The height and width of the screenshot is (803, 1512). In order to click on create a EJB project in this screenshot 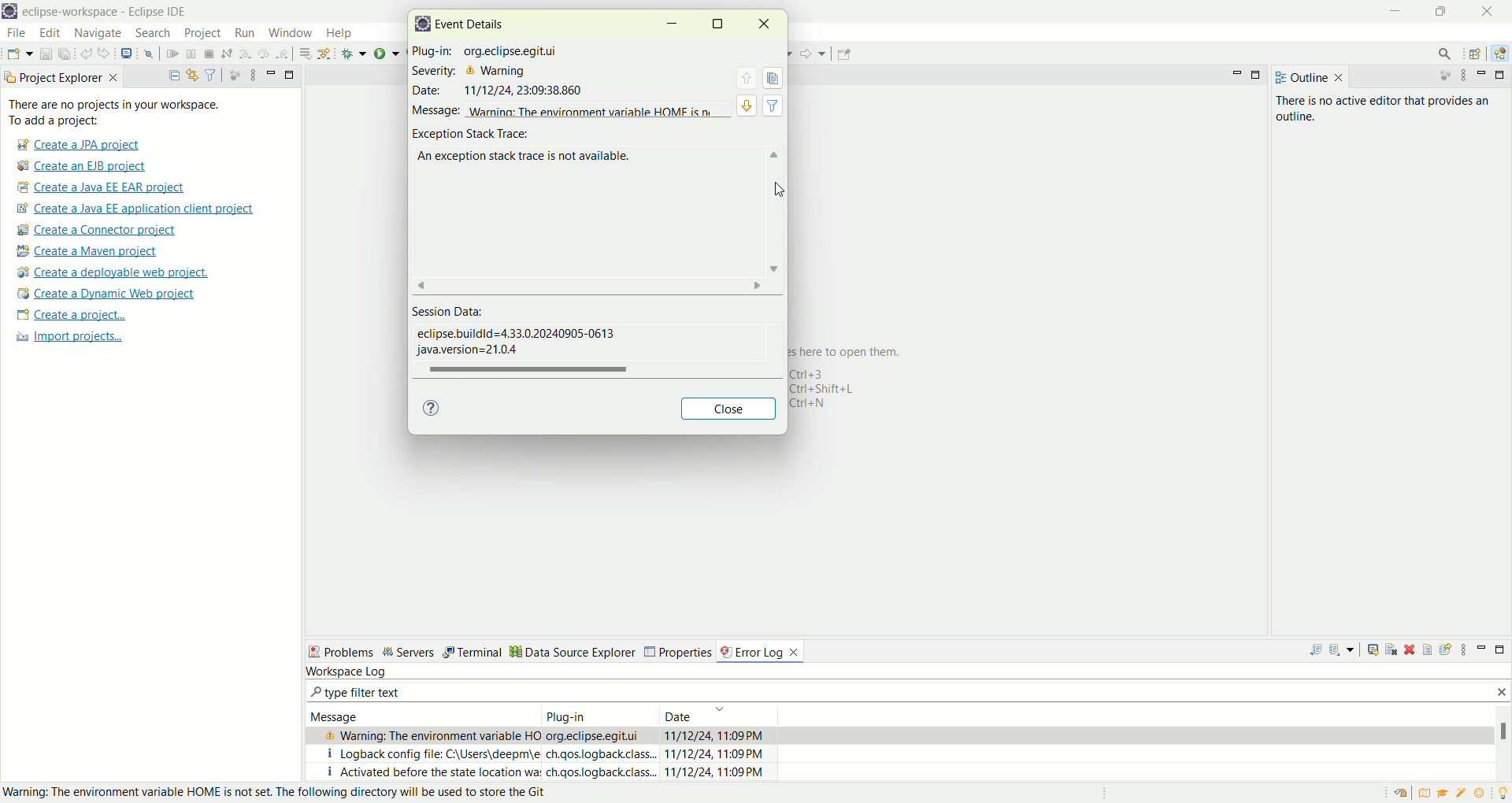, I will do `click(85, 166)`.